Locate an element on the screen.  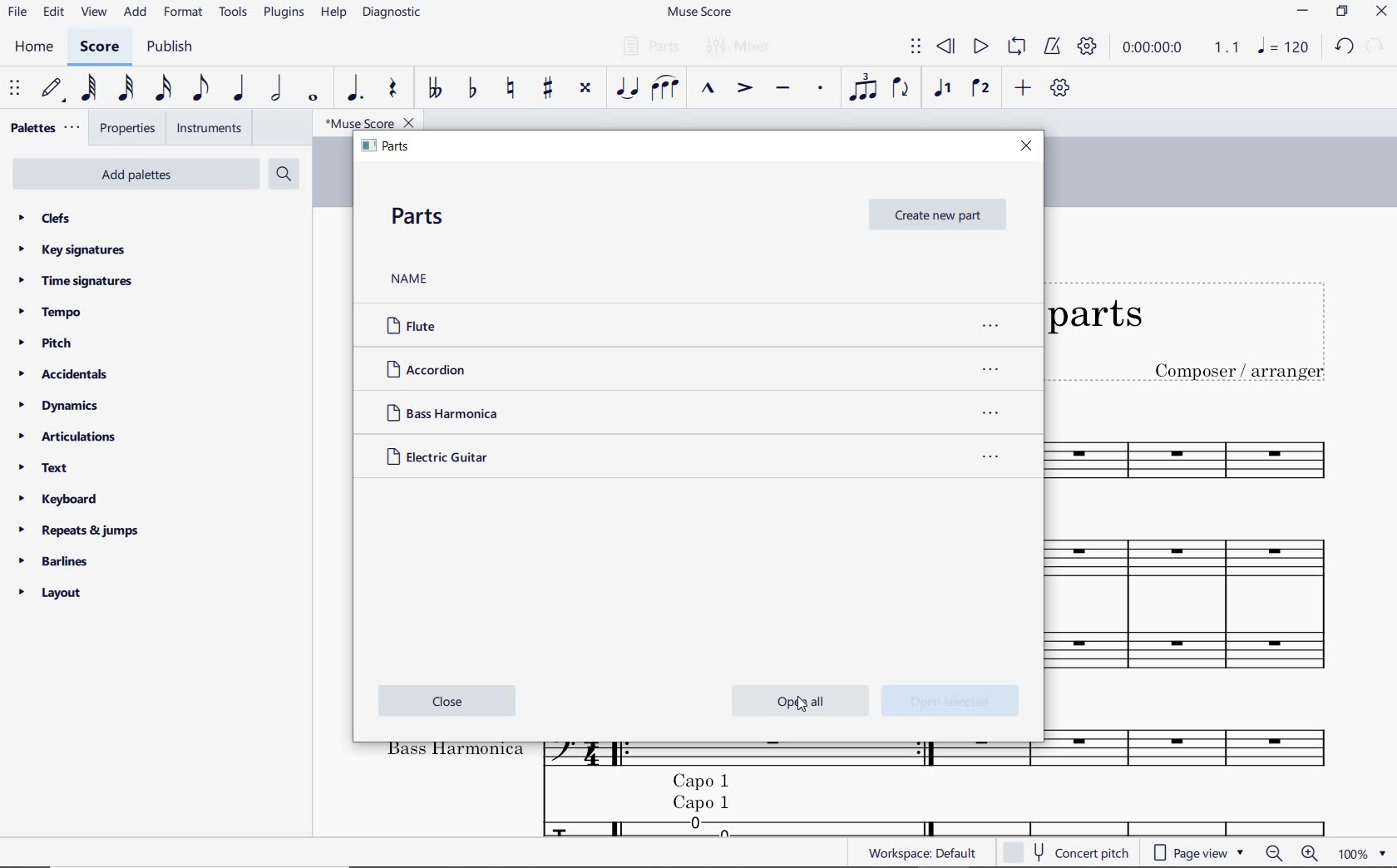
toggle sharp is located at coordinates (549, 89).